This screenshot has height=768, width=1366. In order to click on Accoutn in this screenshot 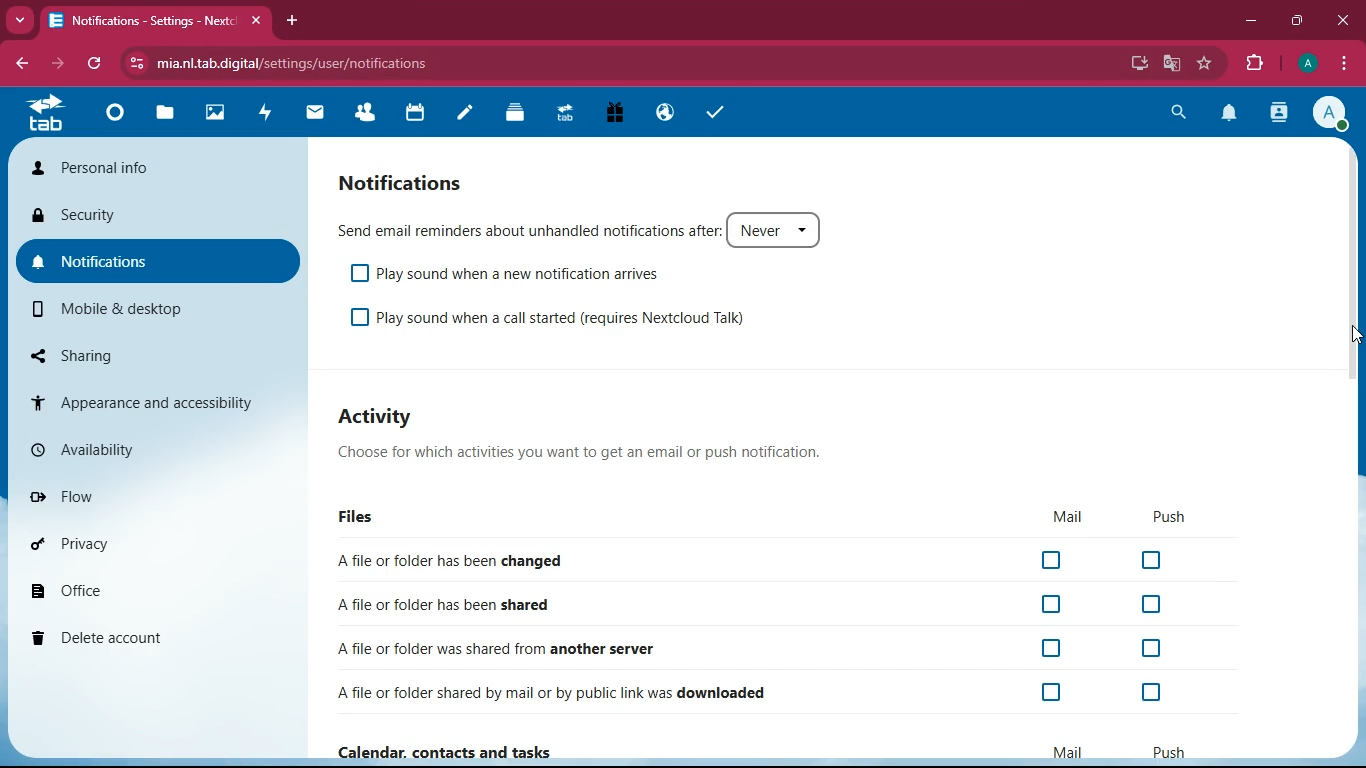, I will do `click(1328, 112)`.